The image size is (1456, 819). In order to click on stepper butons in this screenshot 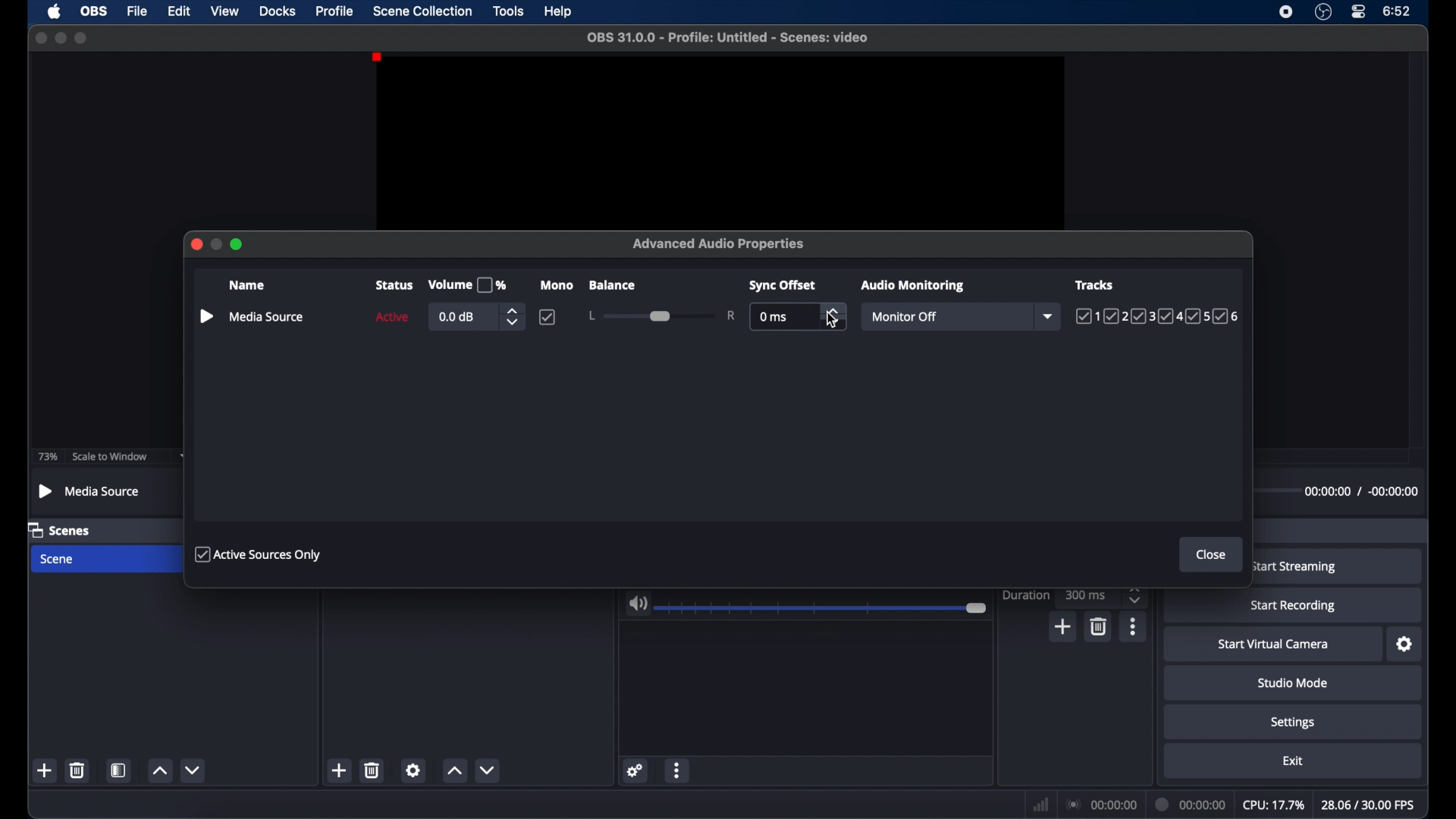, I will do `click(513, 316)`.